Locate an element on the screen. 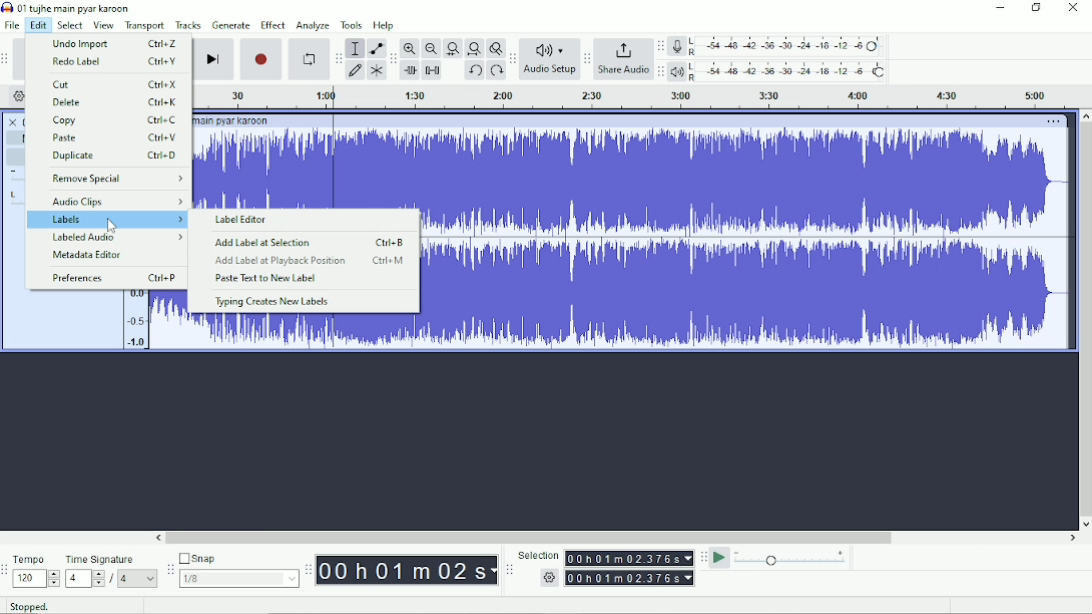  Audacity audio setup tollbar is located at coordinates (511, 59).